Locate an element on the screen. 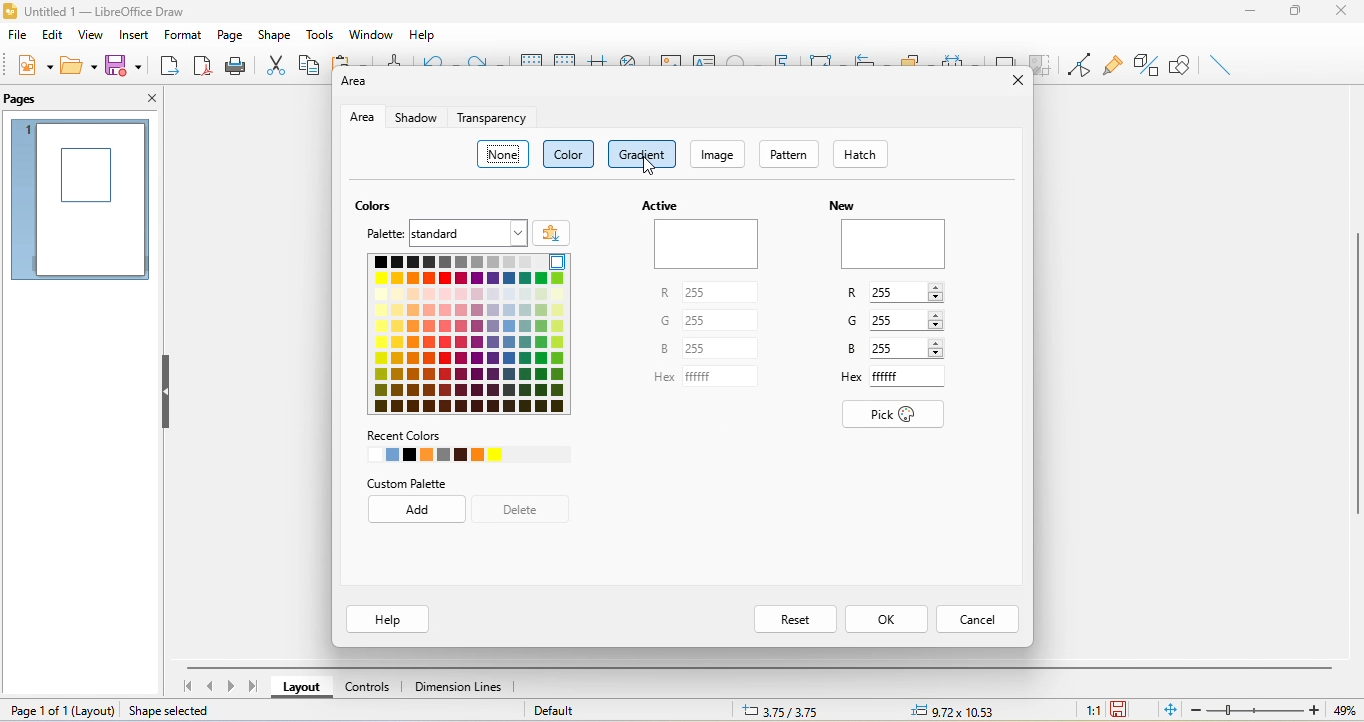 This screenshot has width=1364, height=722. insert line is located at coordinates (1216, 63).